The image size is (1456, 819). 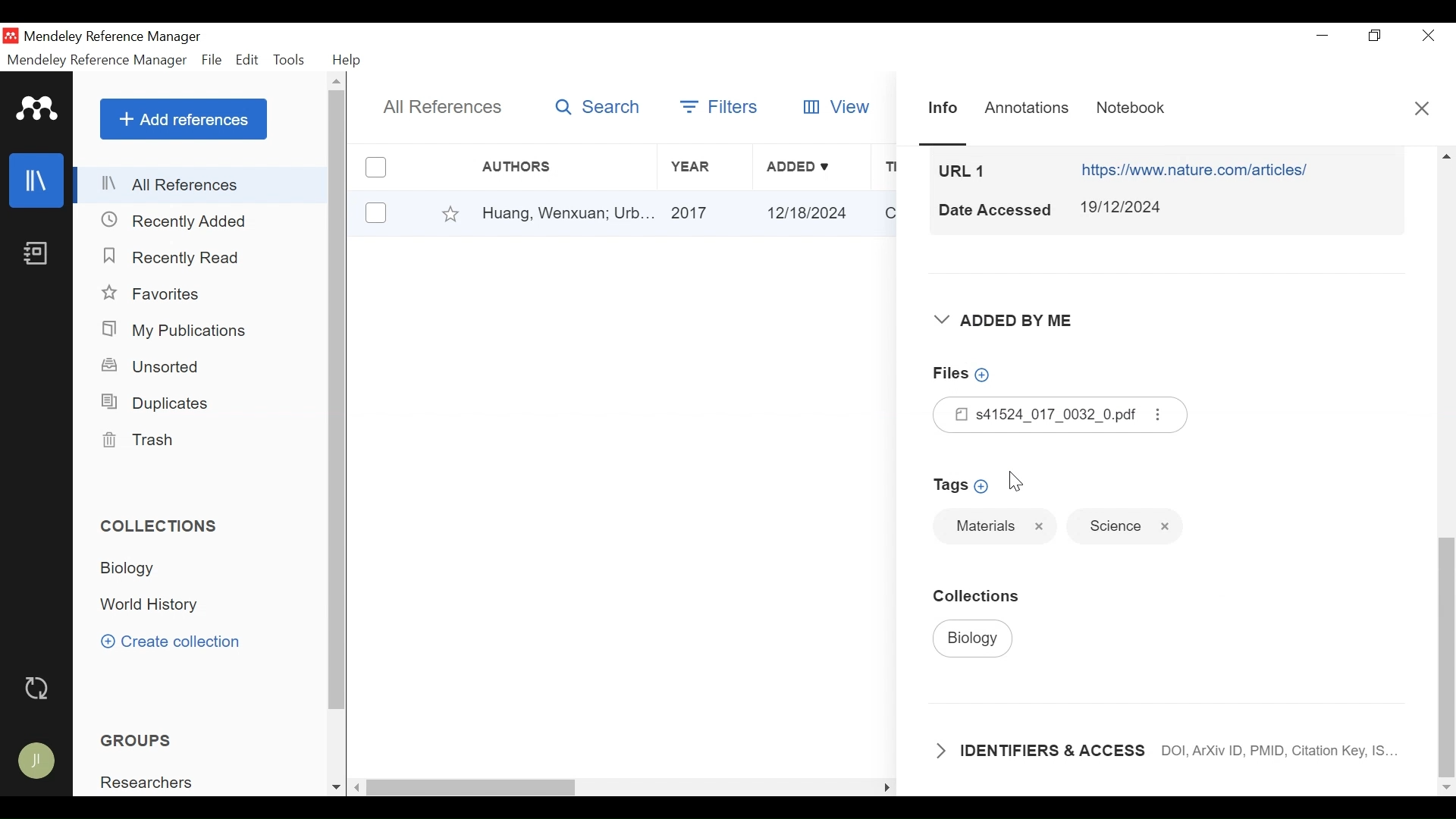 I want to click on Favorites, so click(x=155, y=294).